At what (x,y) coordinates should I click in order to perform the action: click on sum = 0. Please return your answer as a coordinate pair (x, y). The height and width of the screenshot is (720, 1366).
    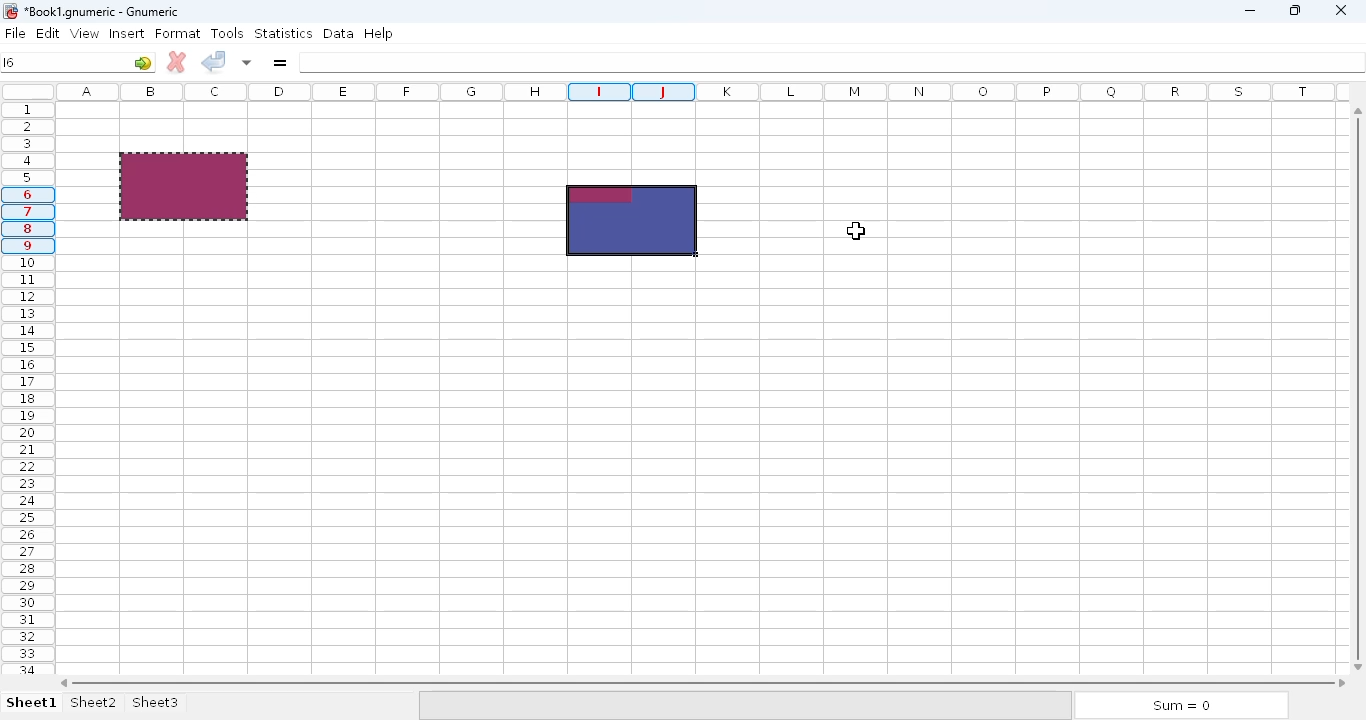
    Looking at the image, I should click on (1179, 706).